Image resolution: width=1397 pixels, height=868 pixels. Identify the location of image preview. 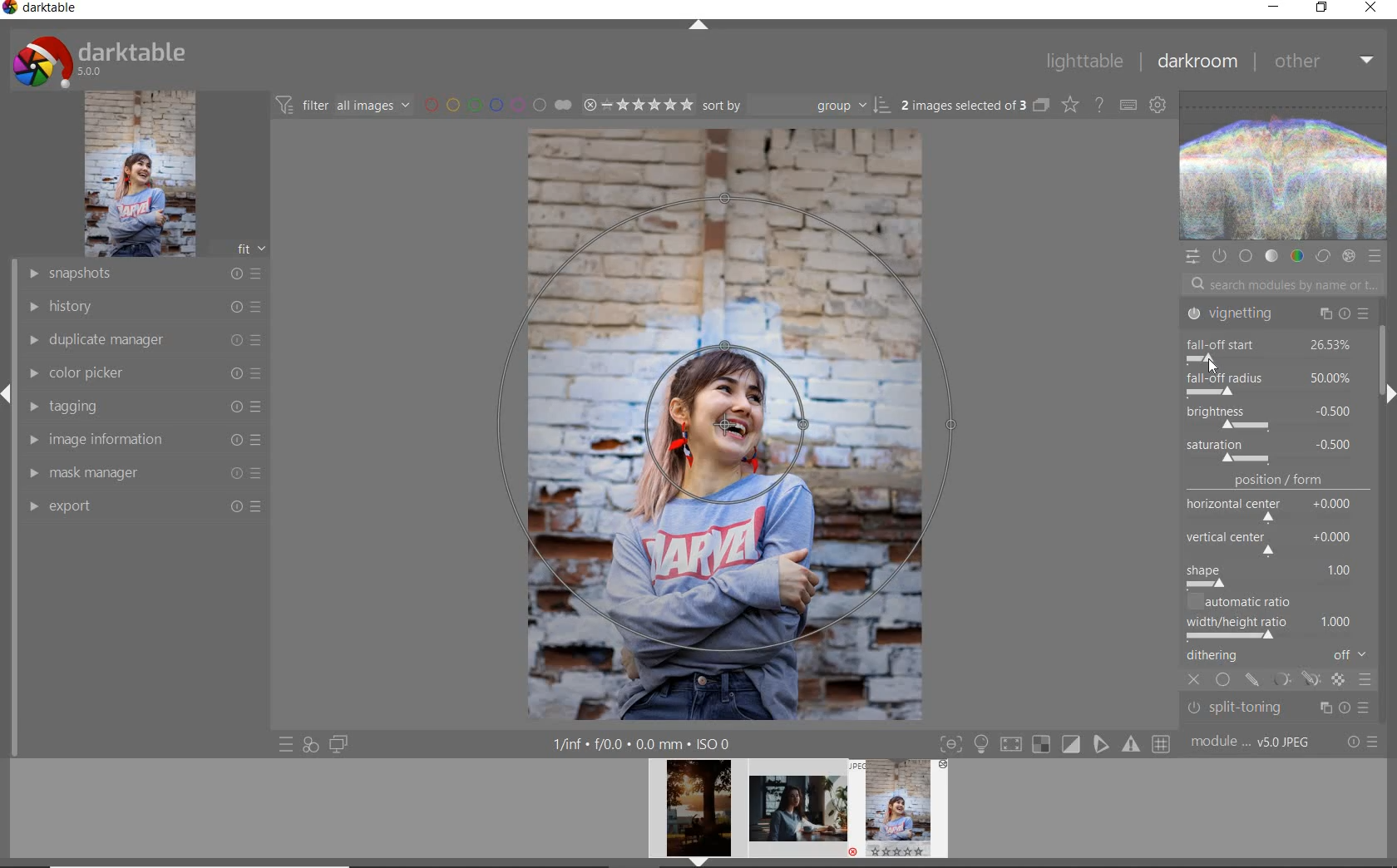
(798, 813).